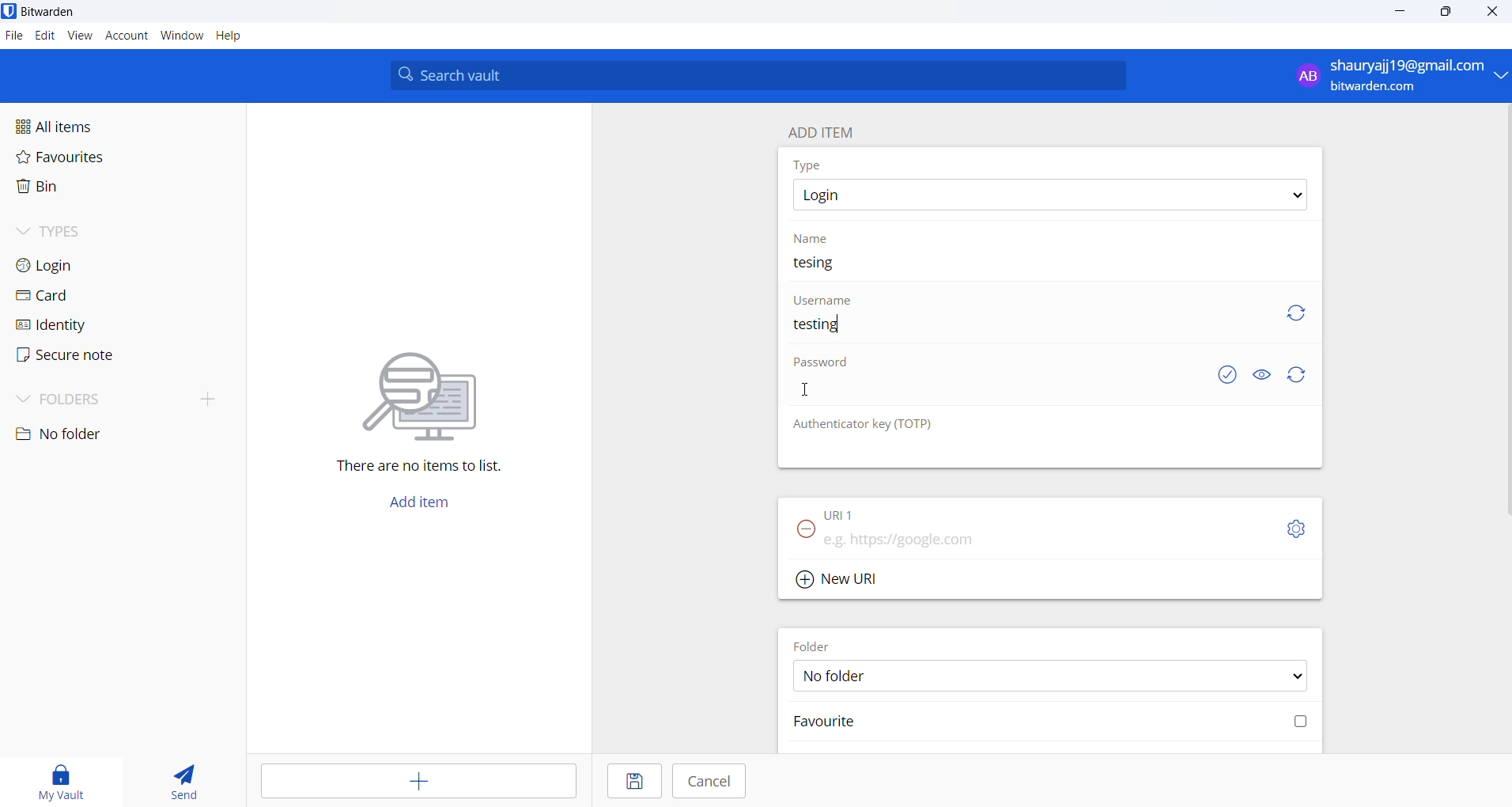  I want to click on type options, so click(1054, 196).